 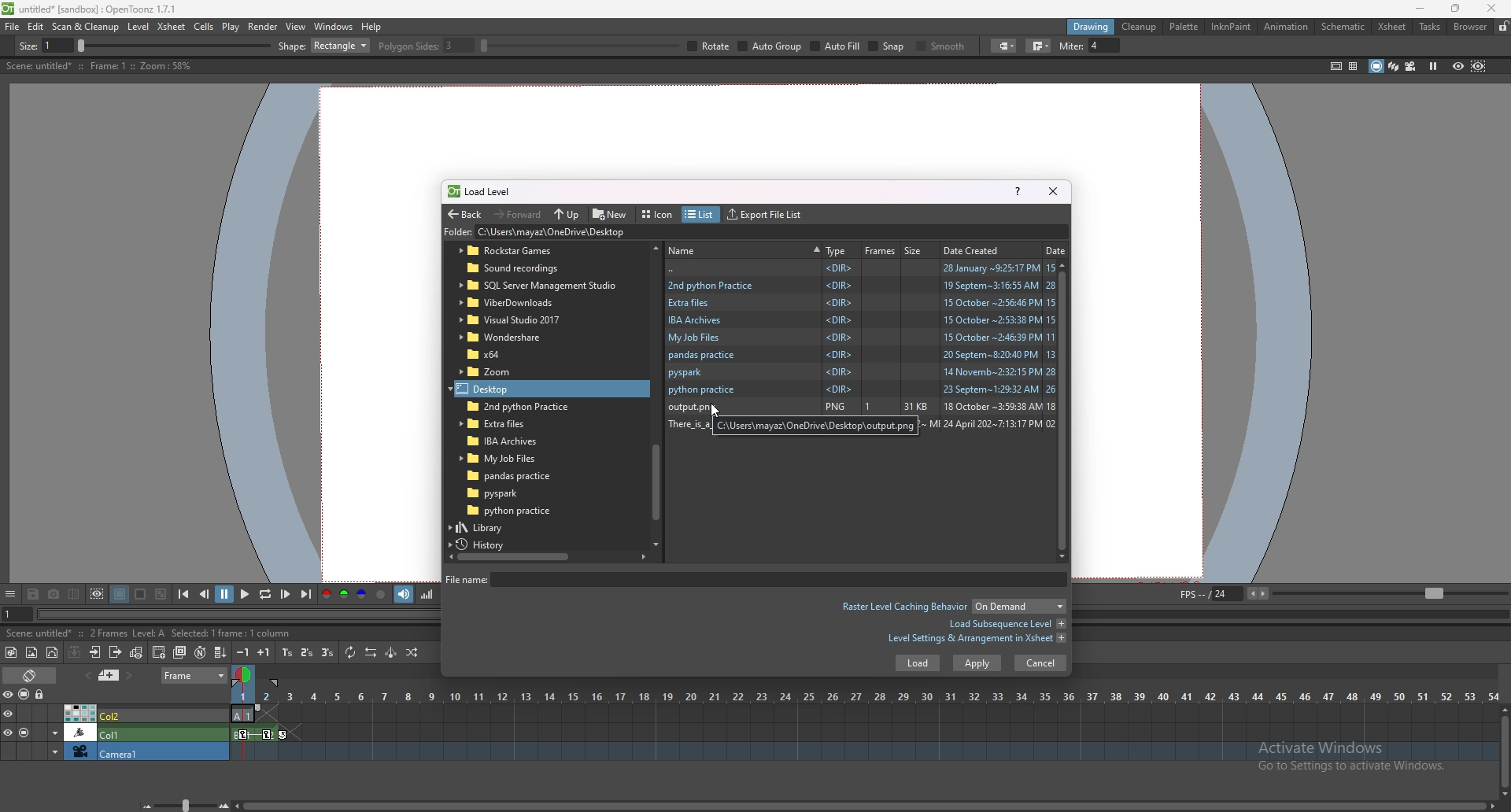 I want to click on folder, so click(x=498, y=354).